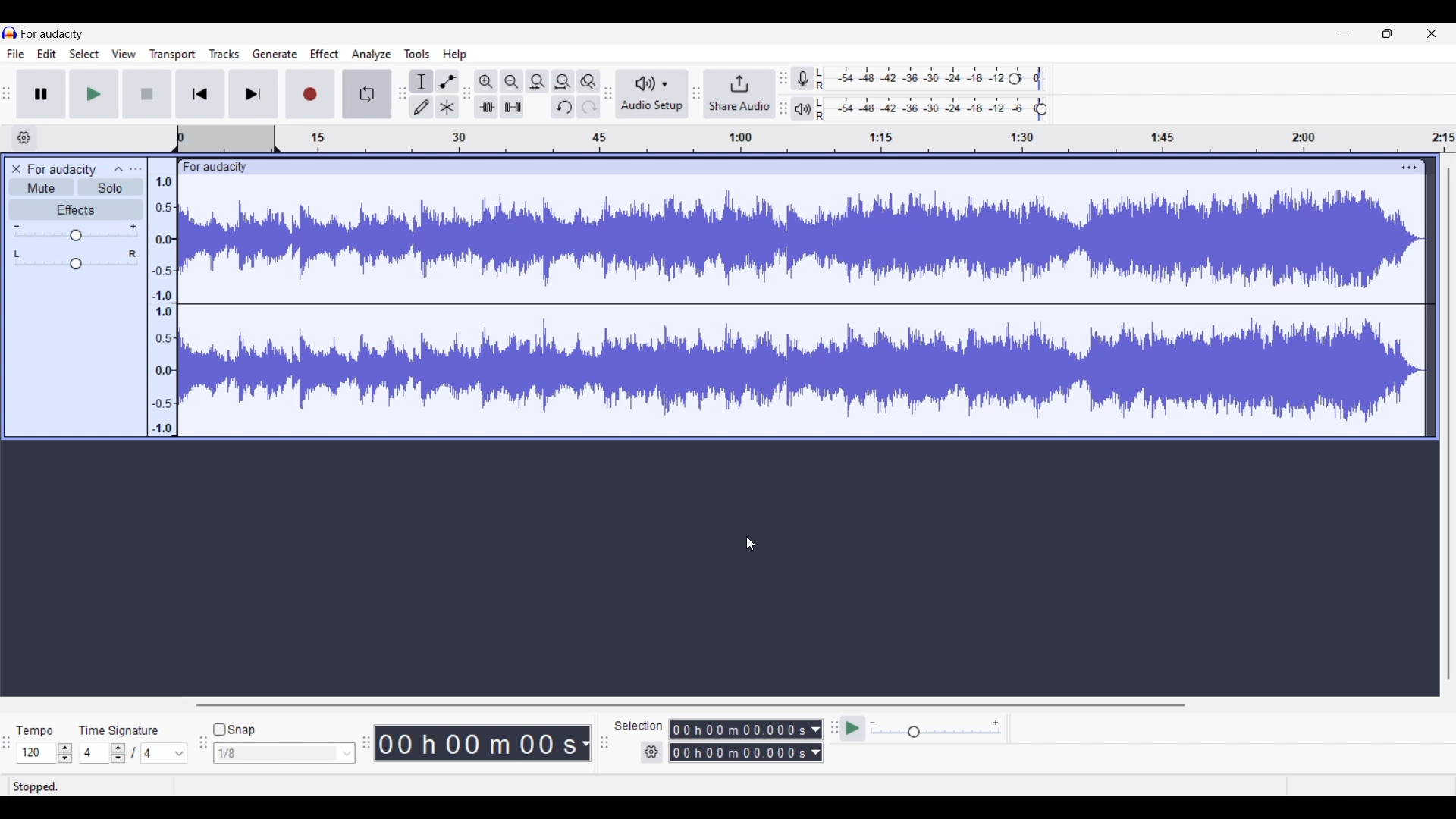  Describe the element at coordinates (122, 727) in the screenshot. I see `Time Signature` at that location.